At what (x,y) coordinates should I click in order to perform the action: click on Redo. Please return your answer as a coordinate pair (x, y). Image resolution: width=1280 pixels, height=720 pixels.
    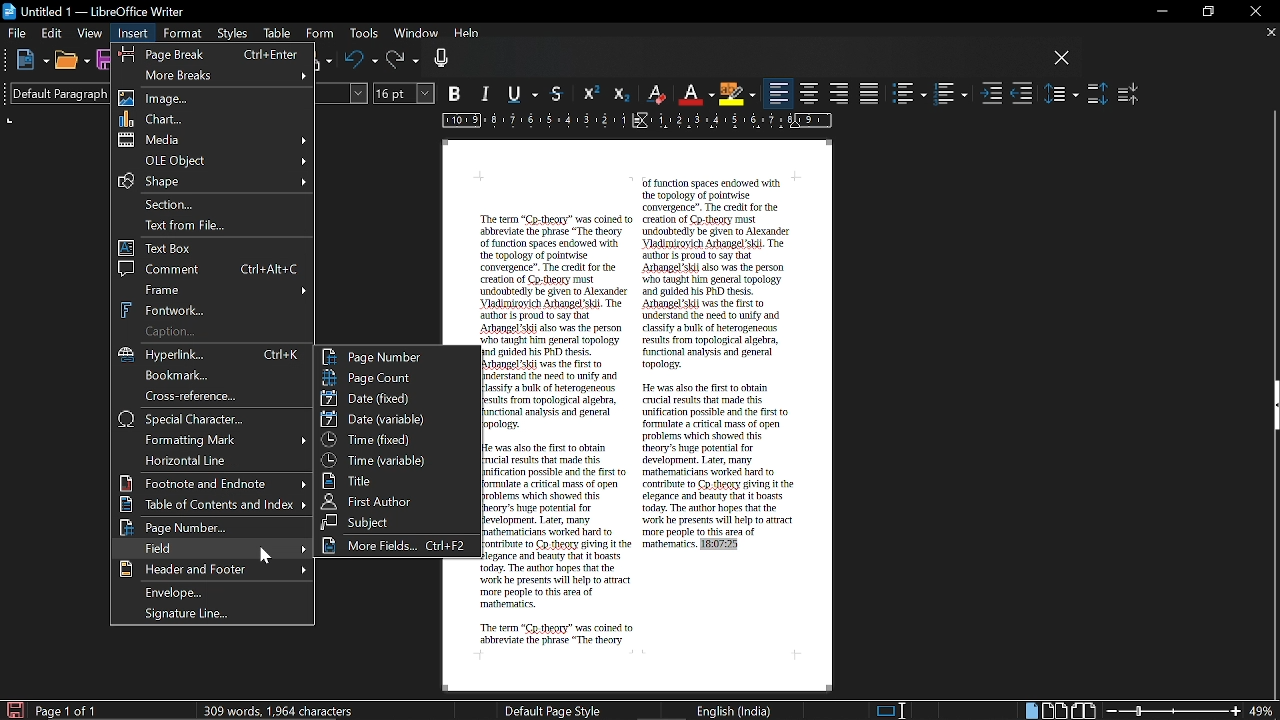
    Looking at the image, I should click on (403, 61).